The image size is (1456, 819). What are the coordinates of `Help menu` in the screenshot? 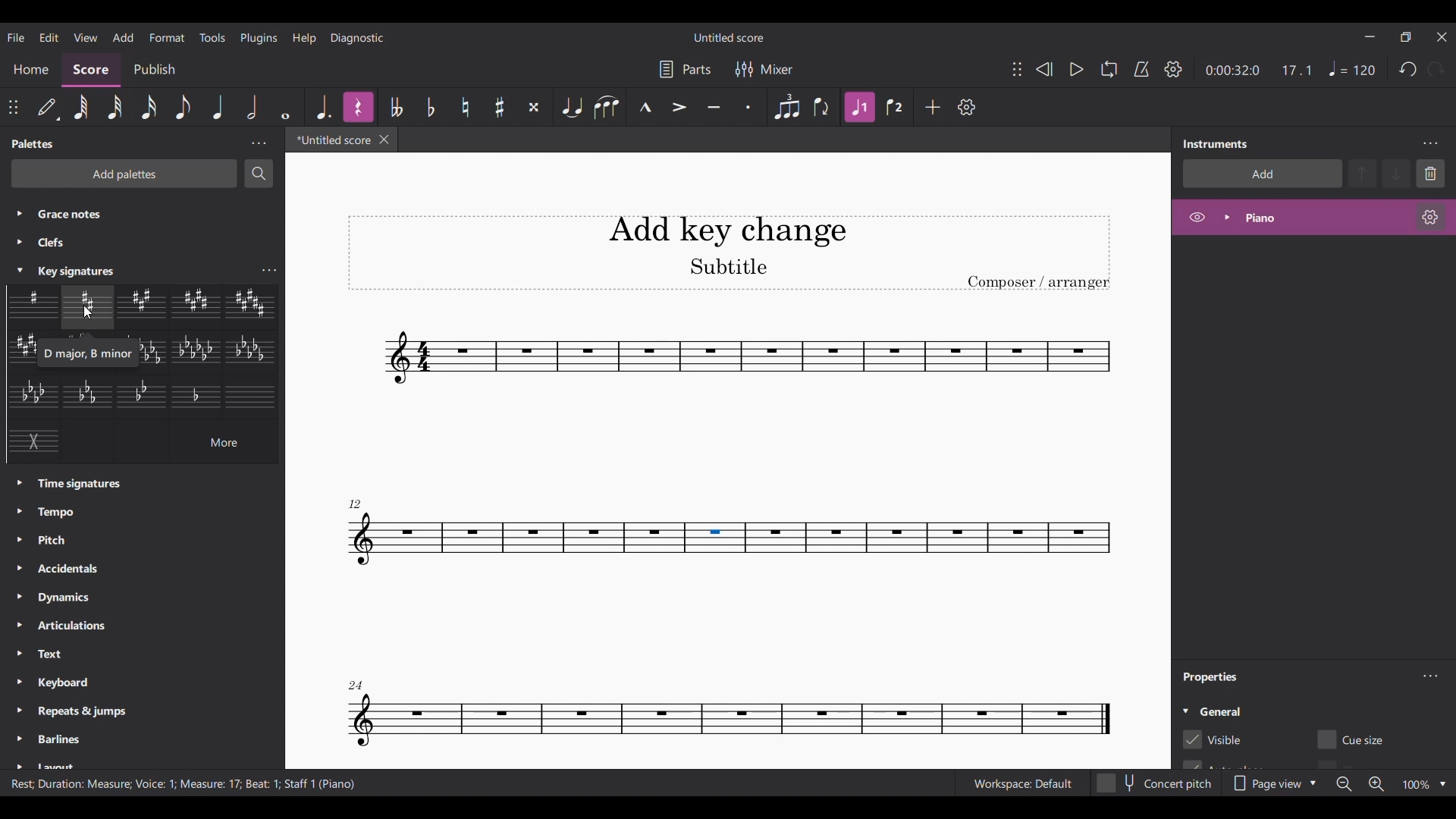 It's located at (304, 37).